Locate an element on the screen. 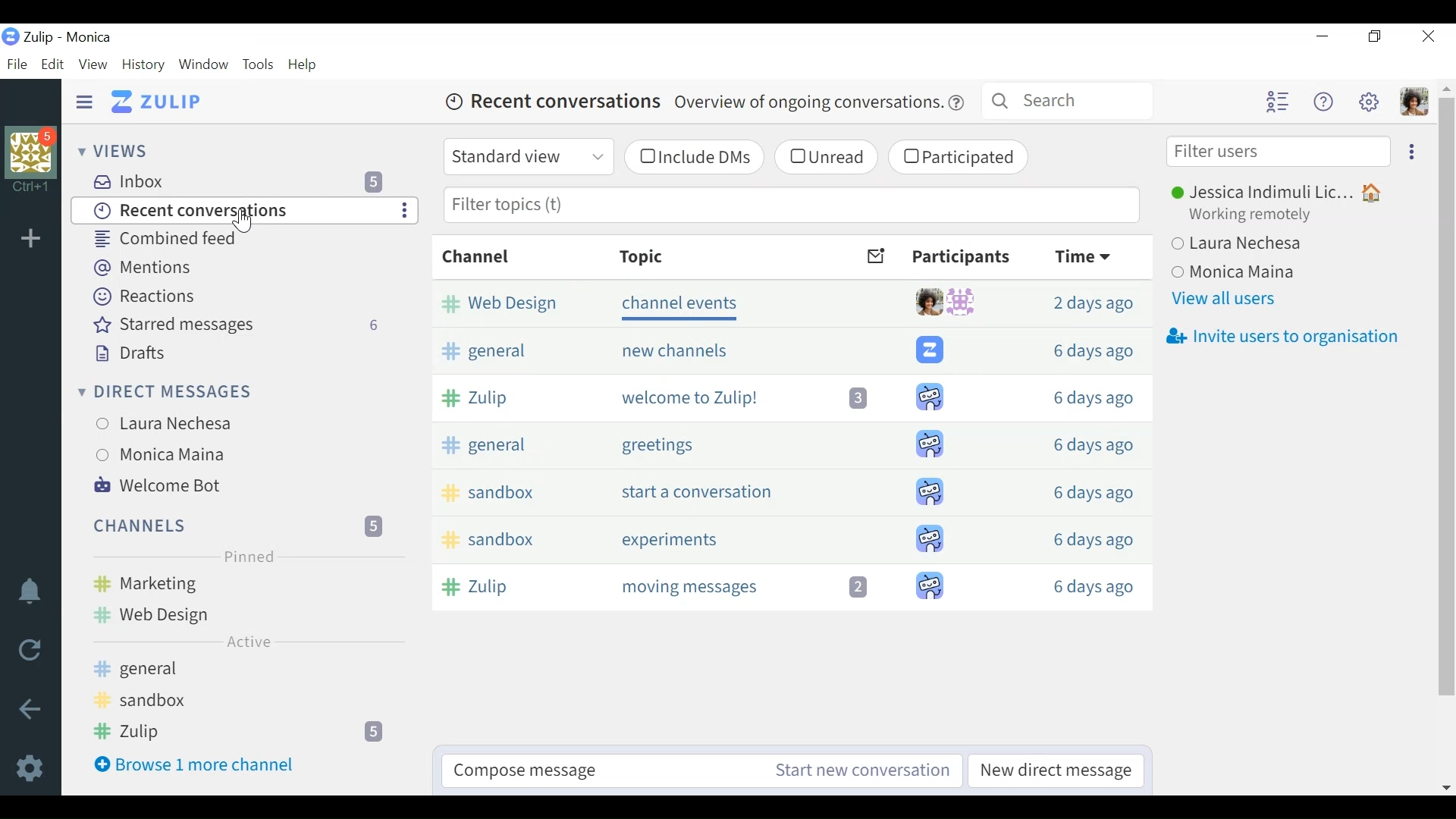 The image size is (1456, 819). Recent conversations is located at coordinates (231, 211).